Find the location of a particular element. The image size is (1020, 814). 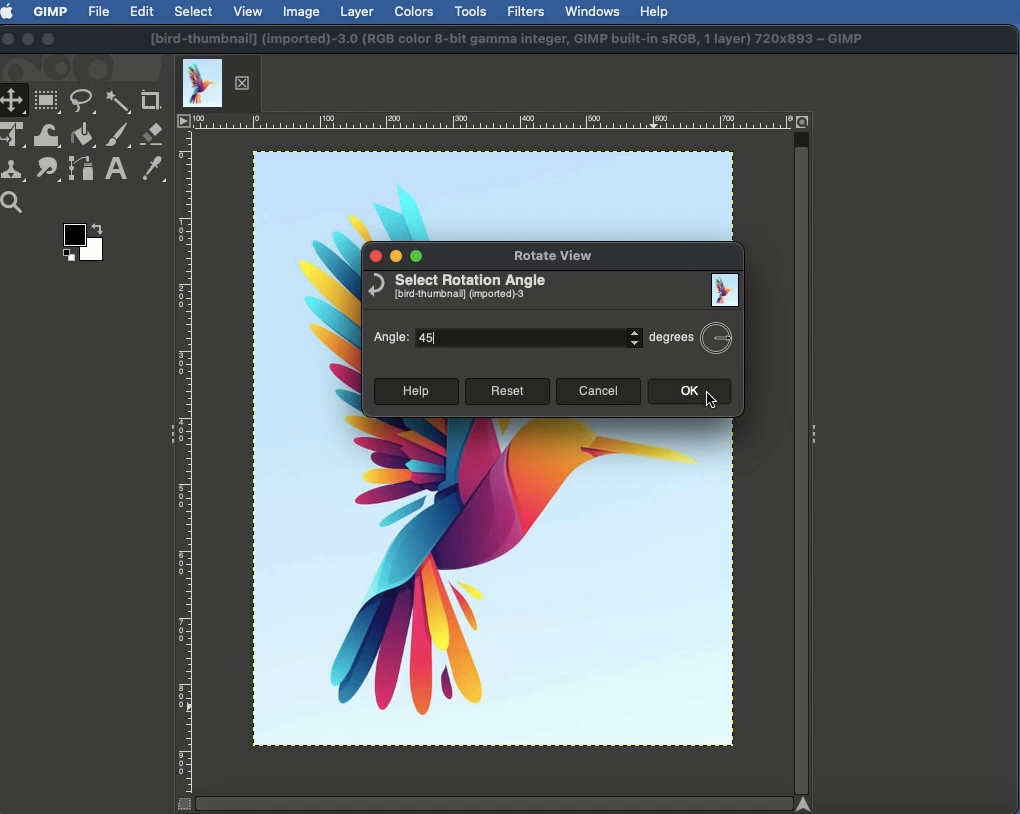

Eraser is located at coordinates (153, 135).